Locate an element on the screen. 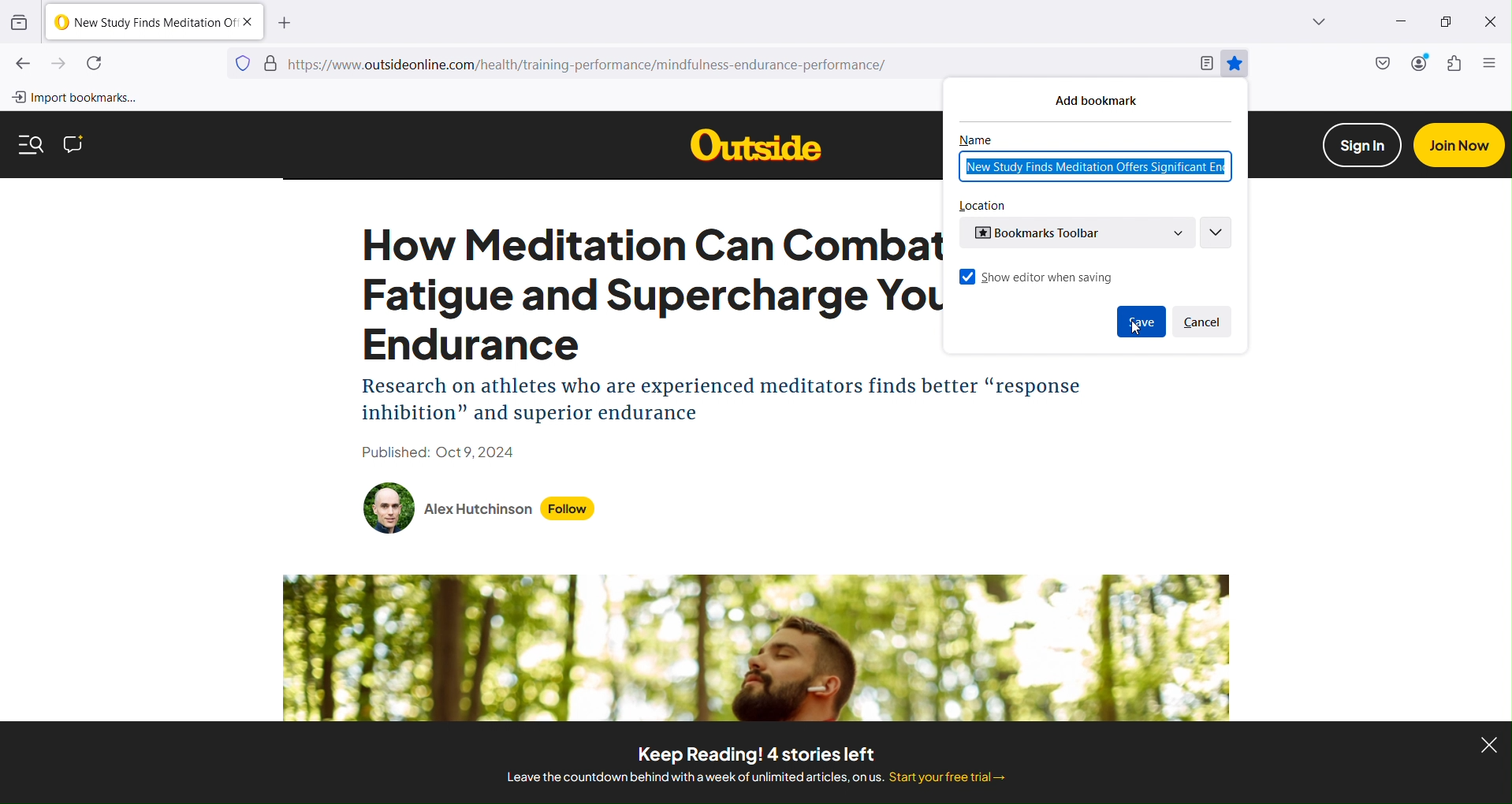  Reload current page is located at coordinates (97, 63).